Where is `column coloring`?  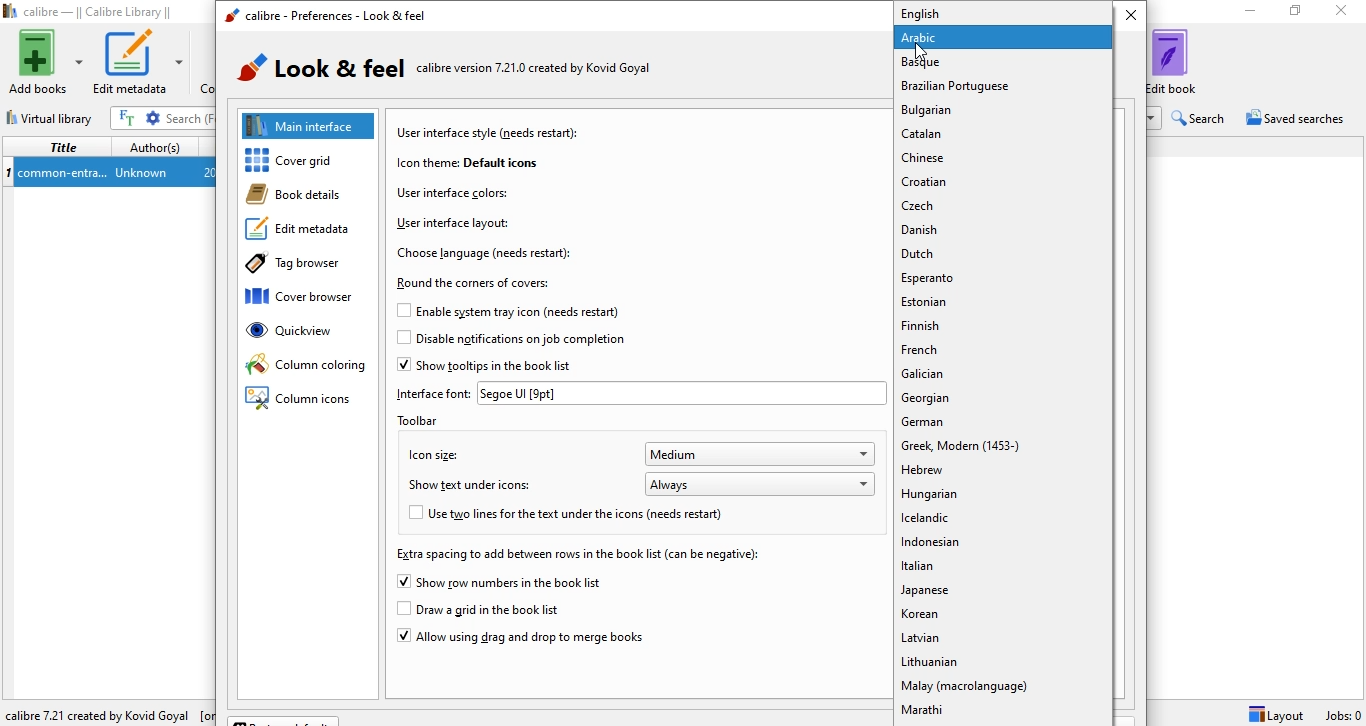 column coloring is located at coordinates (306, 366).